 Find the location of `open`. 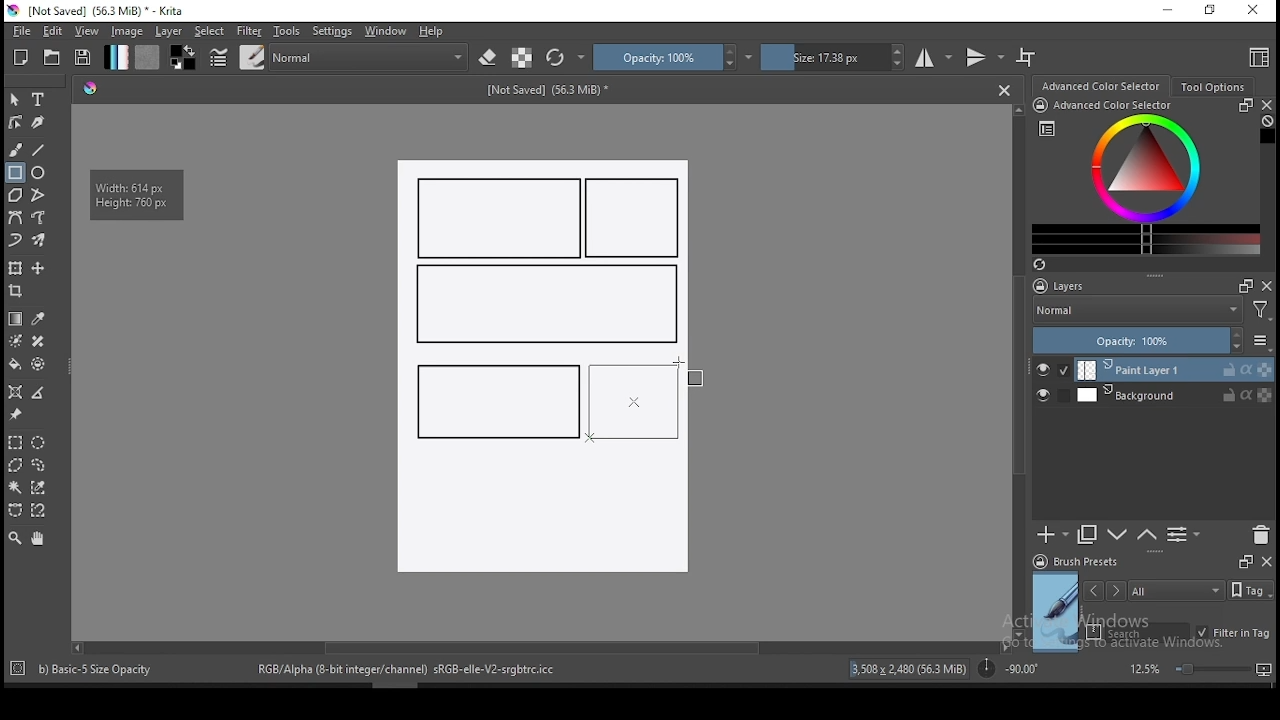

open is located at coordinates (52, 57).